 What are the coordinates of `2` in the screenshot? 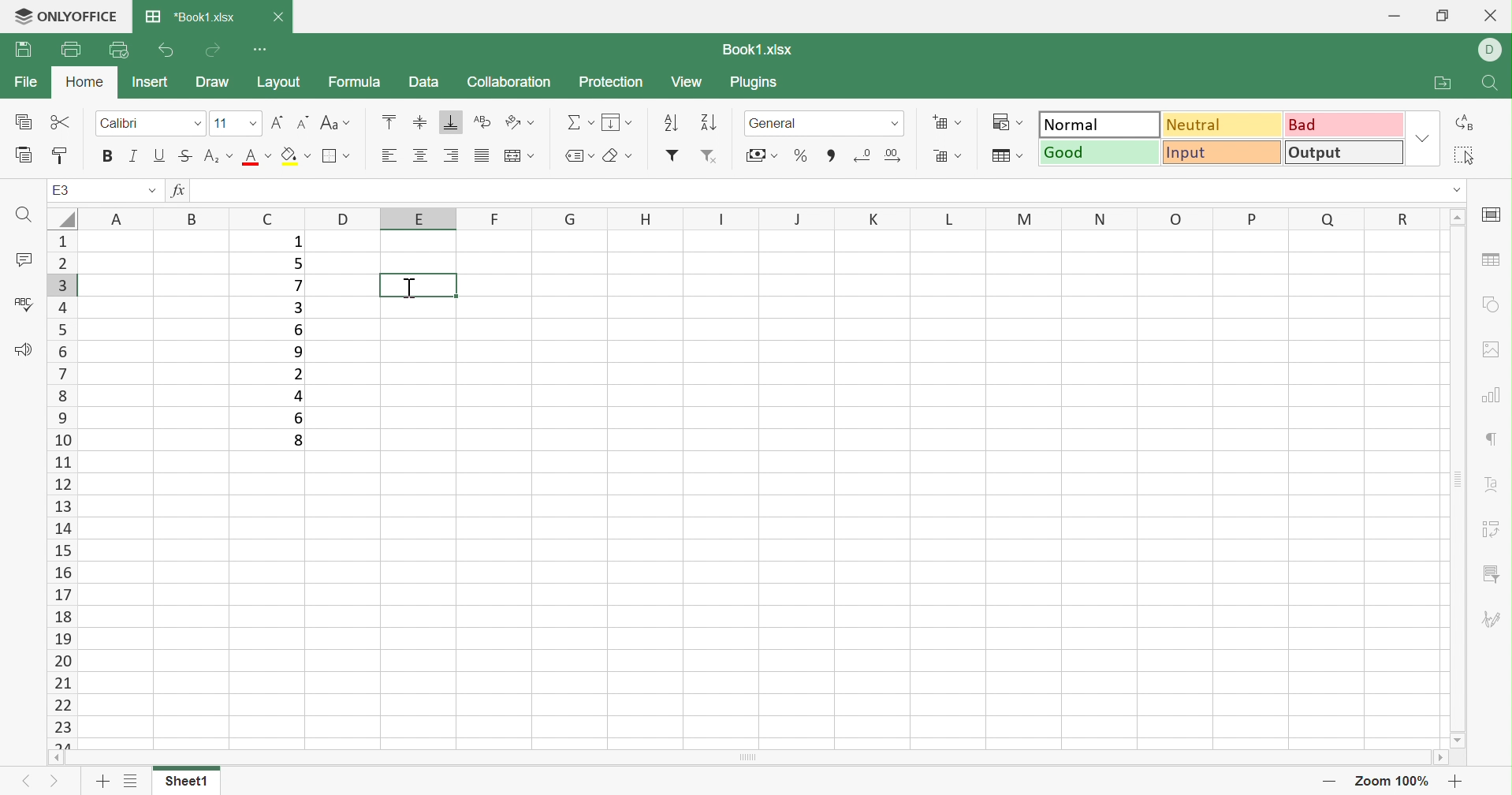 It's located at (299, 375).